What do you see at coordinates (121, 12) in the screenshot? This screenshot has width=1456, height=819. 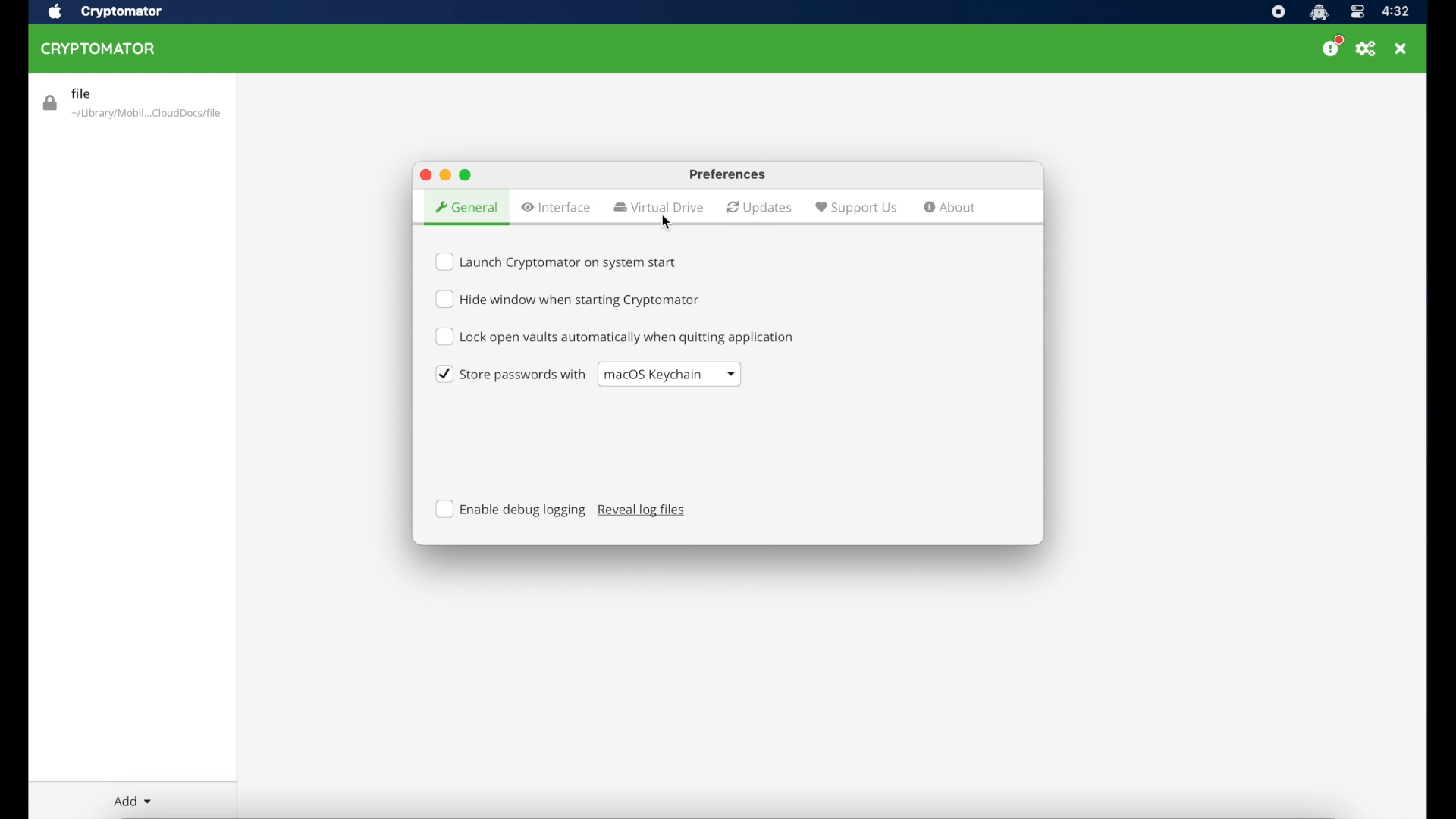 I see `cryptomator` at bounding box center [121, 12].